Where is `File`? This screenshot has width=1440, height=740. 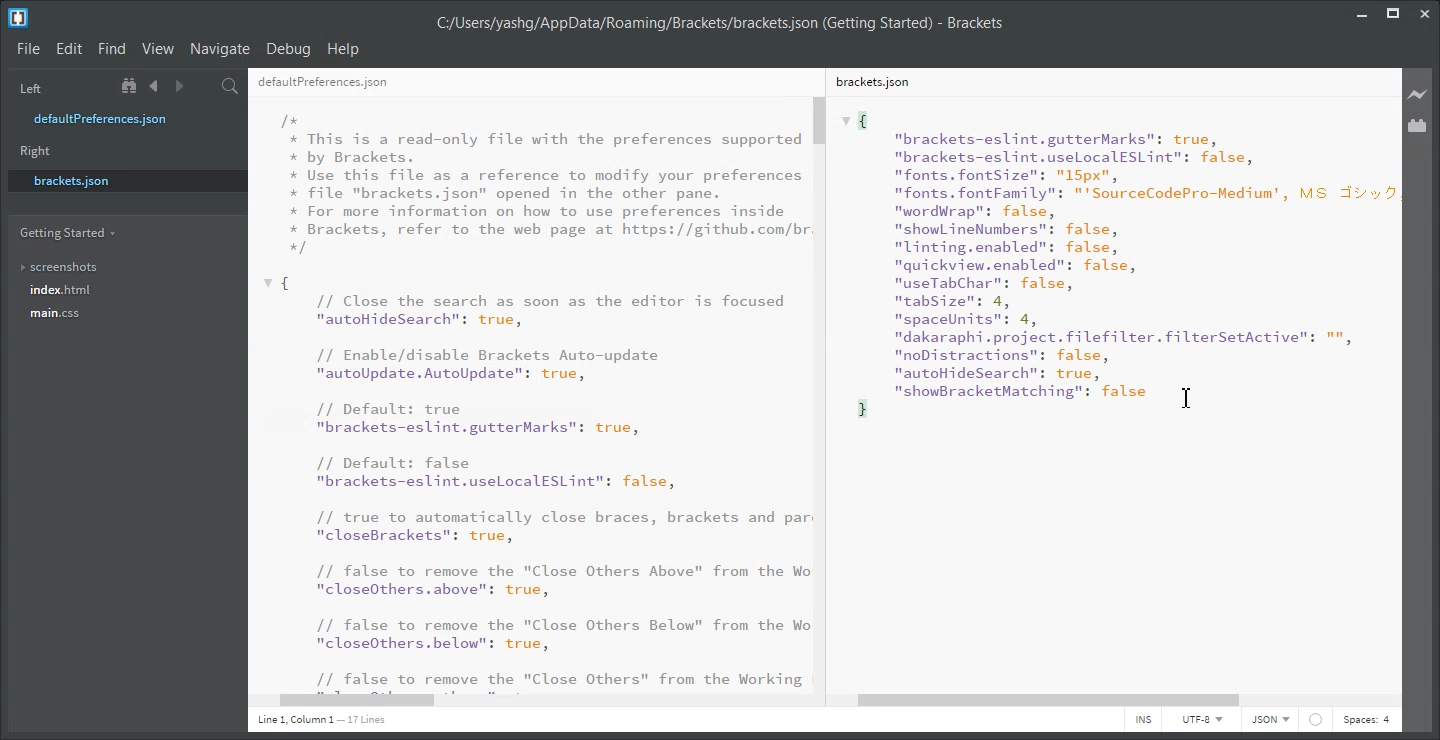
File is located at coordinates (28, 50).